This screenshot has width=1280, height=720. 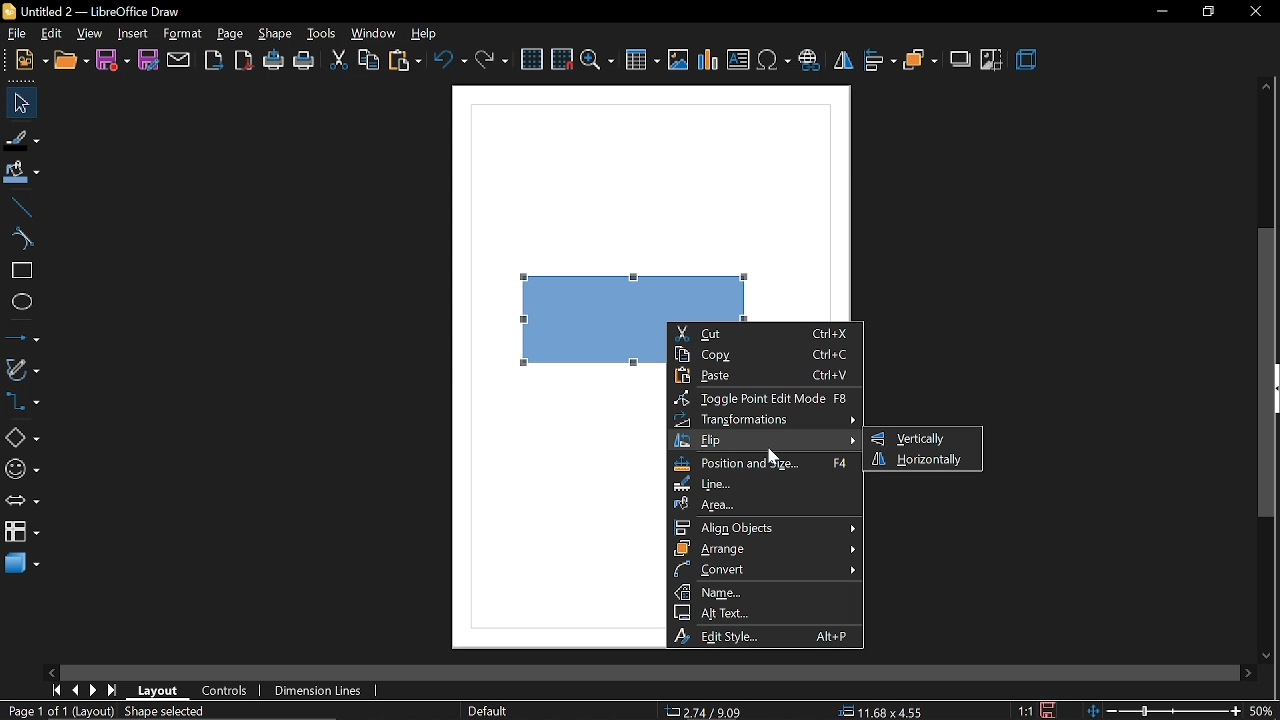 What do you see at coordinates (884, 712) in the screenshot?
I see `11.68x4.55` at bounding box center [884, 712].